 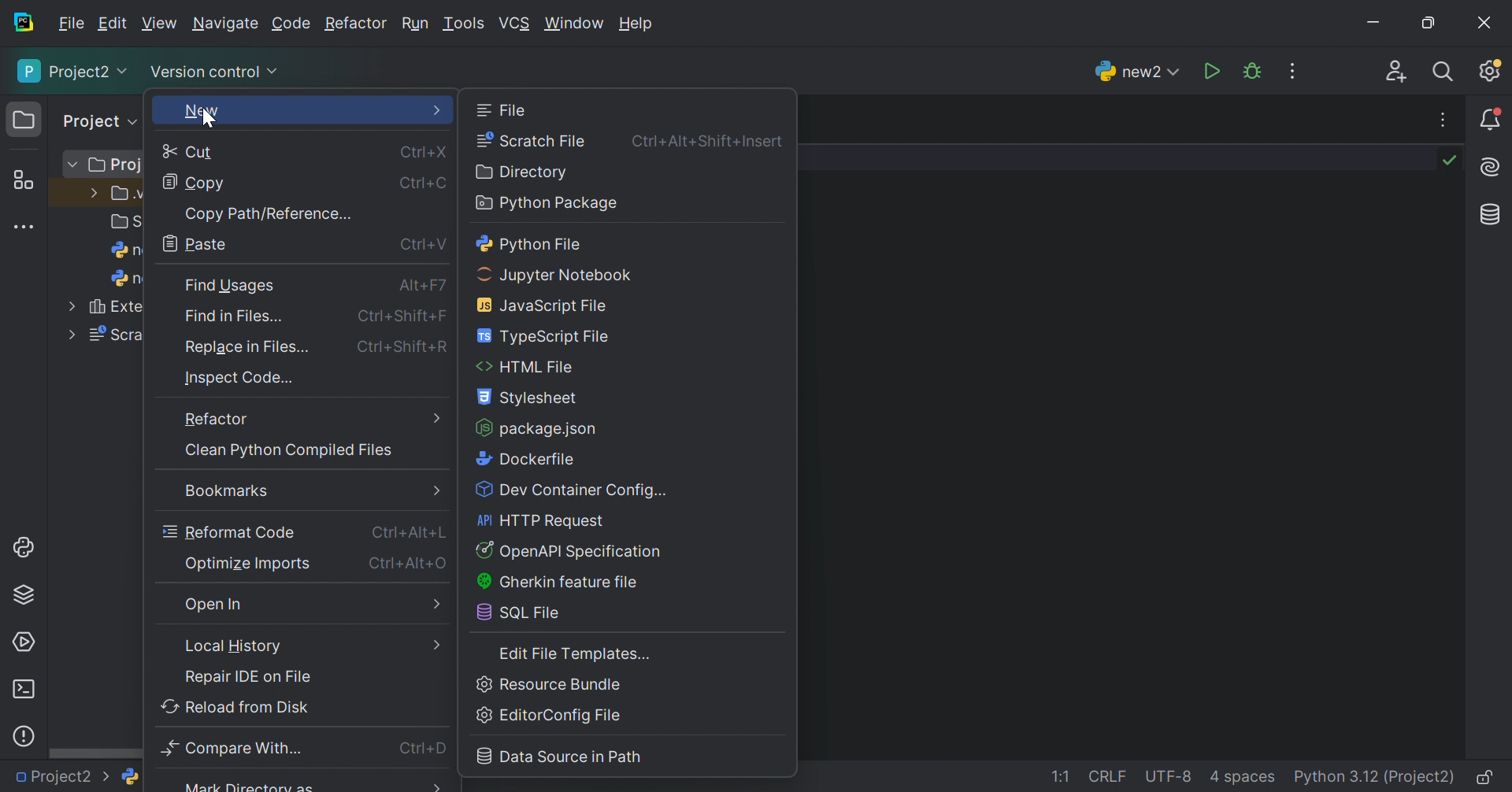 I want to click on Copy, so click(x=196, y=183).